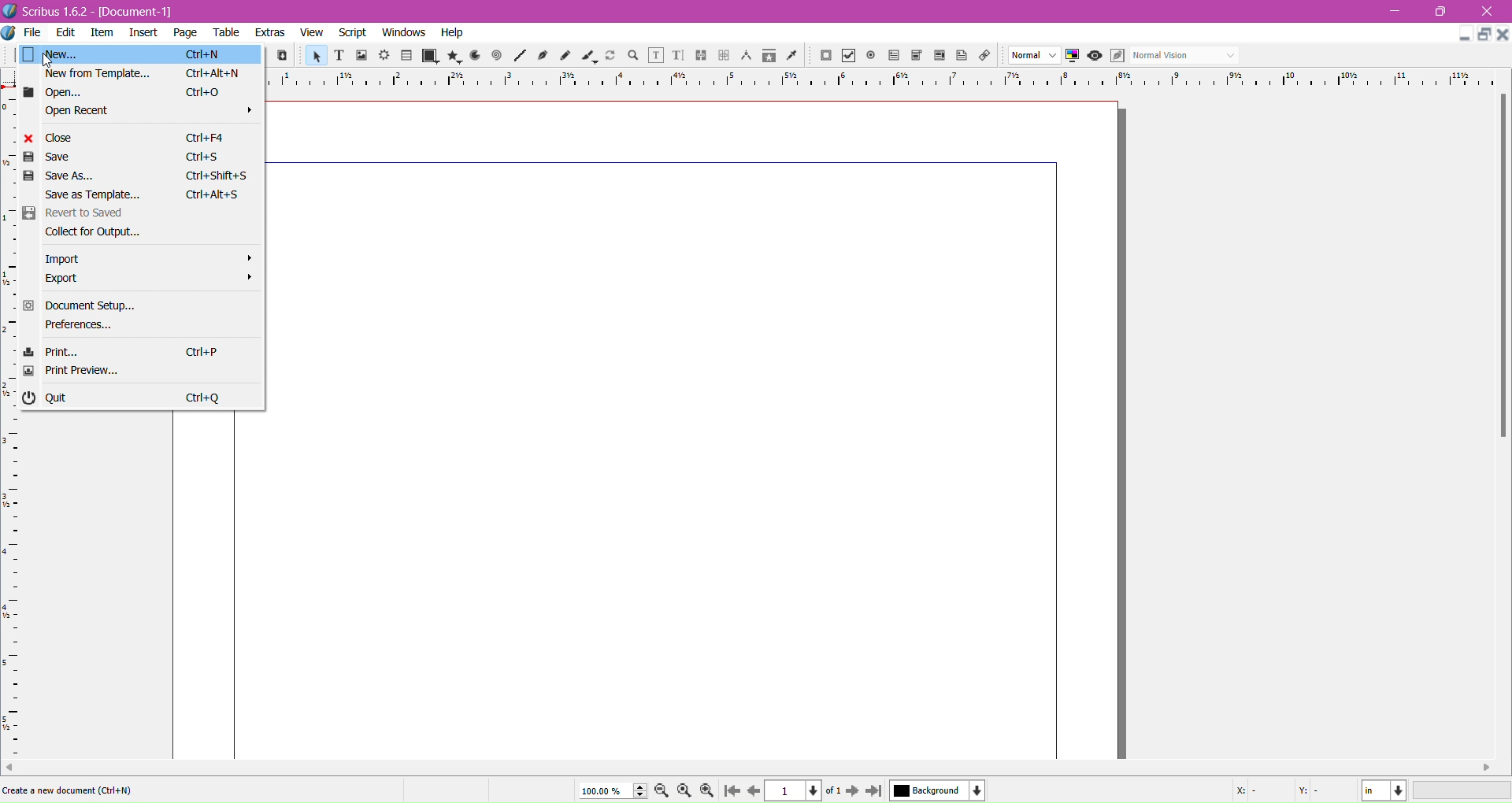 Image resolution: width=1512 pixels, height=803 pixels. I want to click on horizontal scroll bar, so click(1501, 268).